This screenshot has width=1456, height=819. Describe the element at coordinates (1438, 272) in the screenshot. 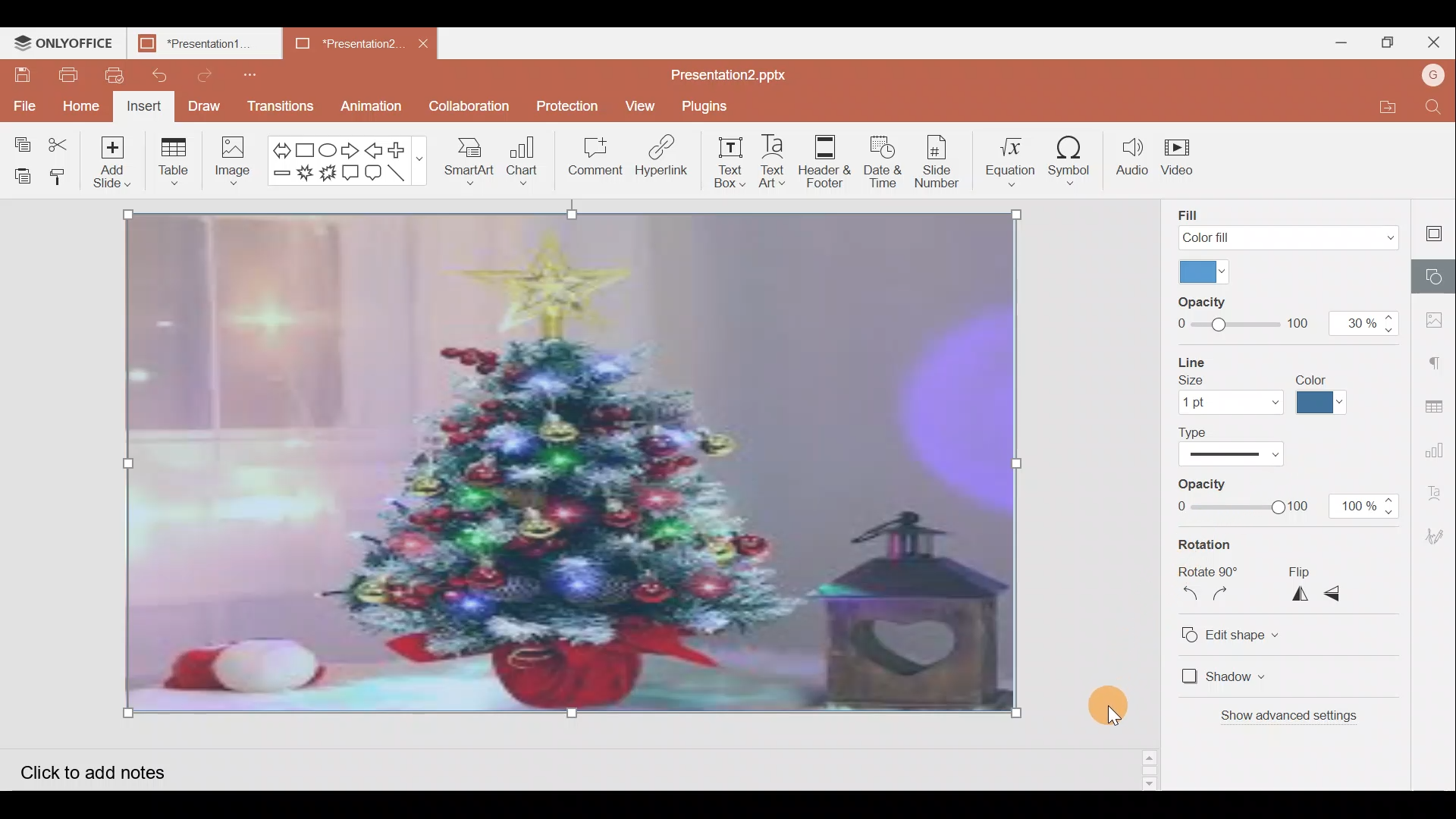

I see `Shape settings` at that location.